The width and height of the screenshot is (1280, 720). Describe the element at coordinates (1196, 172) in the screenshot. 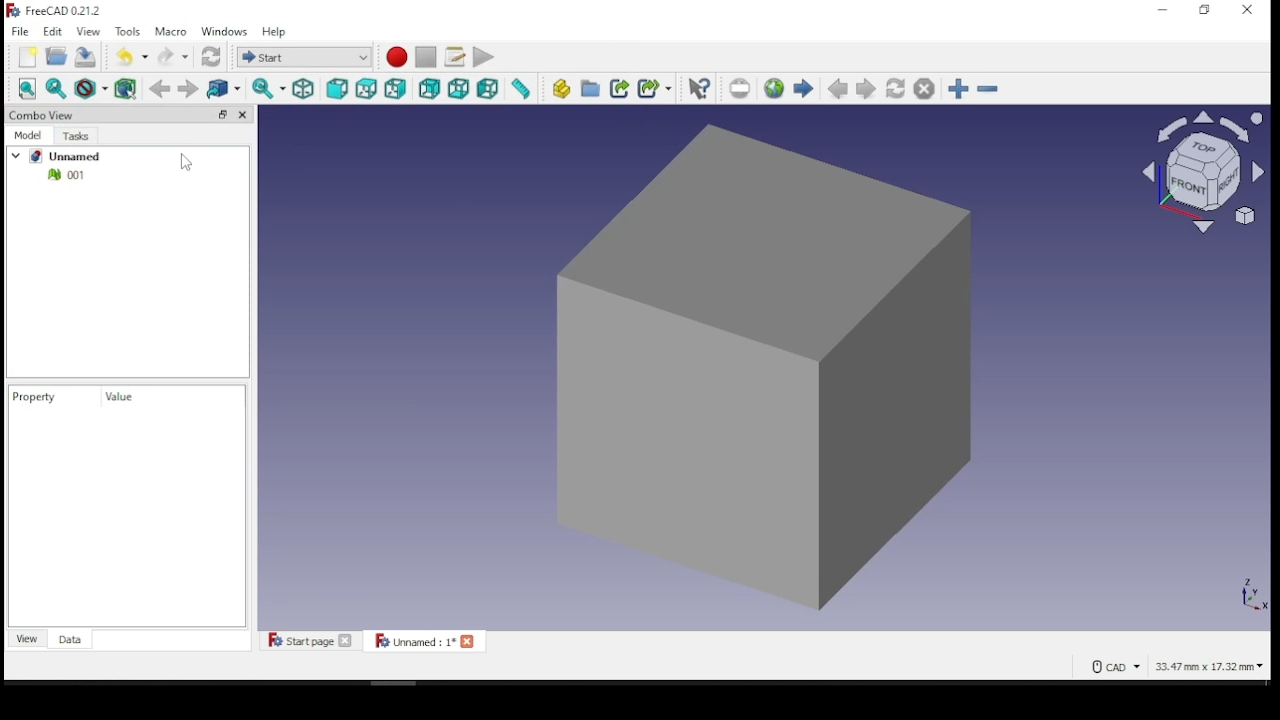

I see `Plane view` at that location.